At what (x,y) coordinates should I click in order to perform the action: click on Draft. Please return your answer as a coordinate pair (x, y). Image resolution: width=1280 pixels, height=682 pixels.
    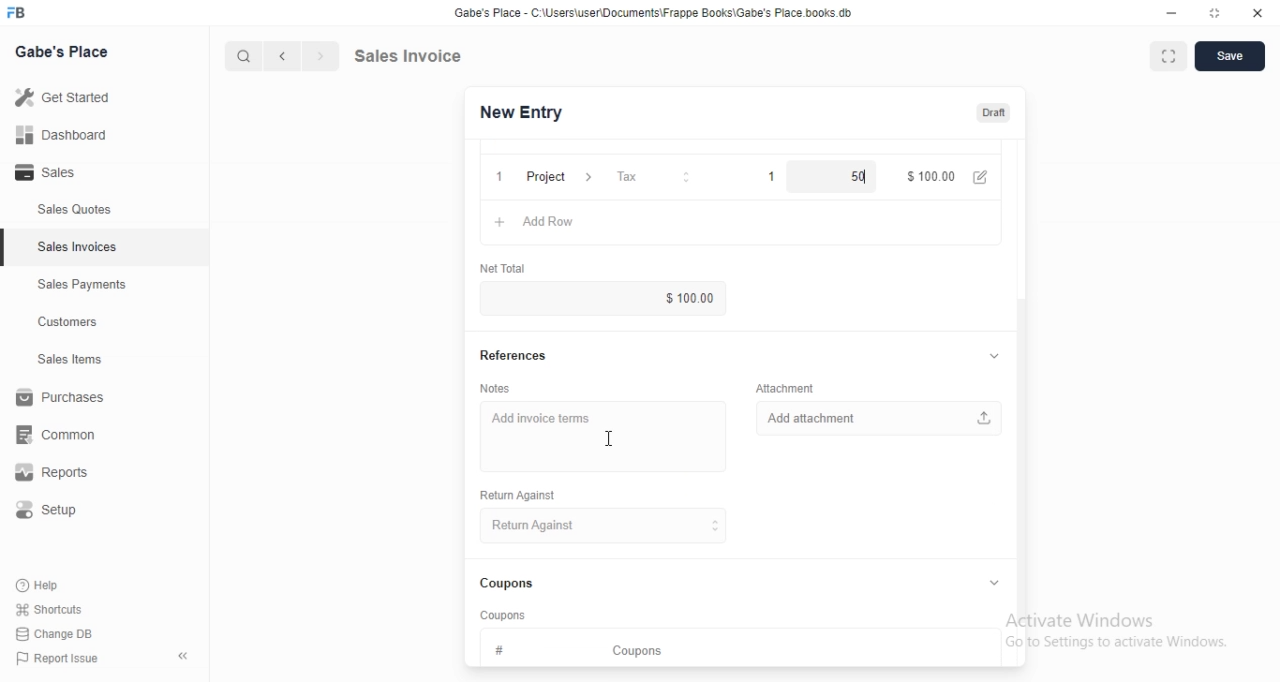
    Looking at the image, I should click on (995, 113).